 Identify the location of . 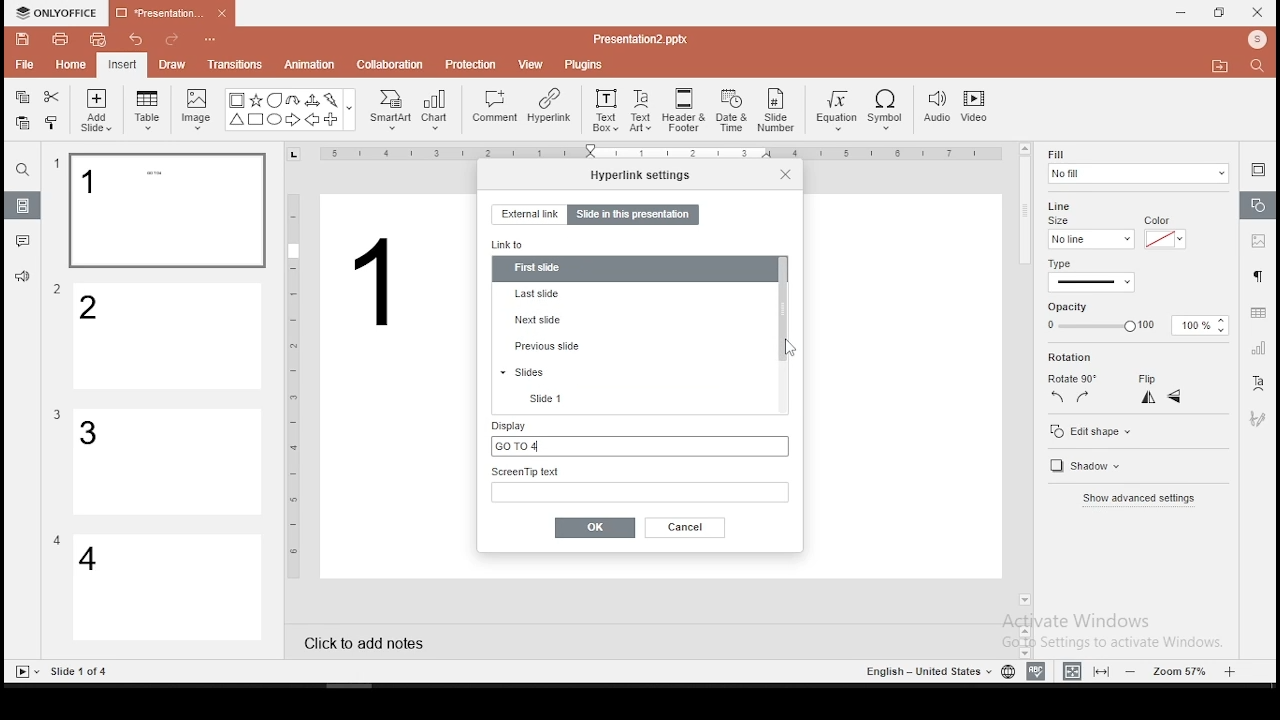
(213, 40).